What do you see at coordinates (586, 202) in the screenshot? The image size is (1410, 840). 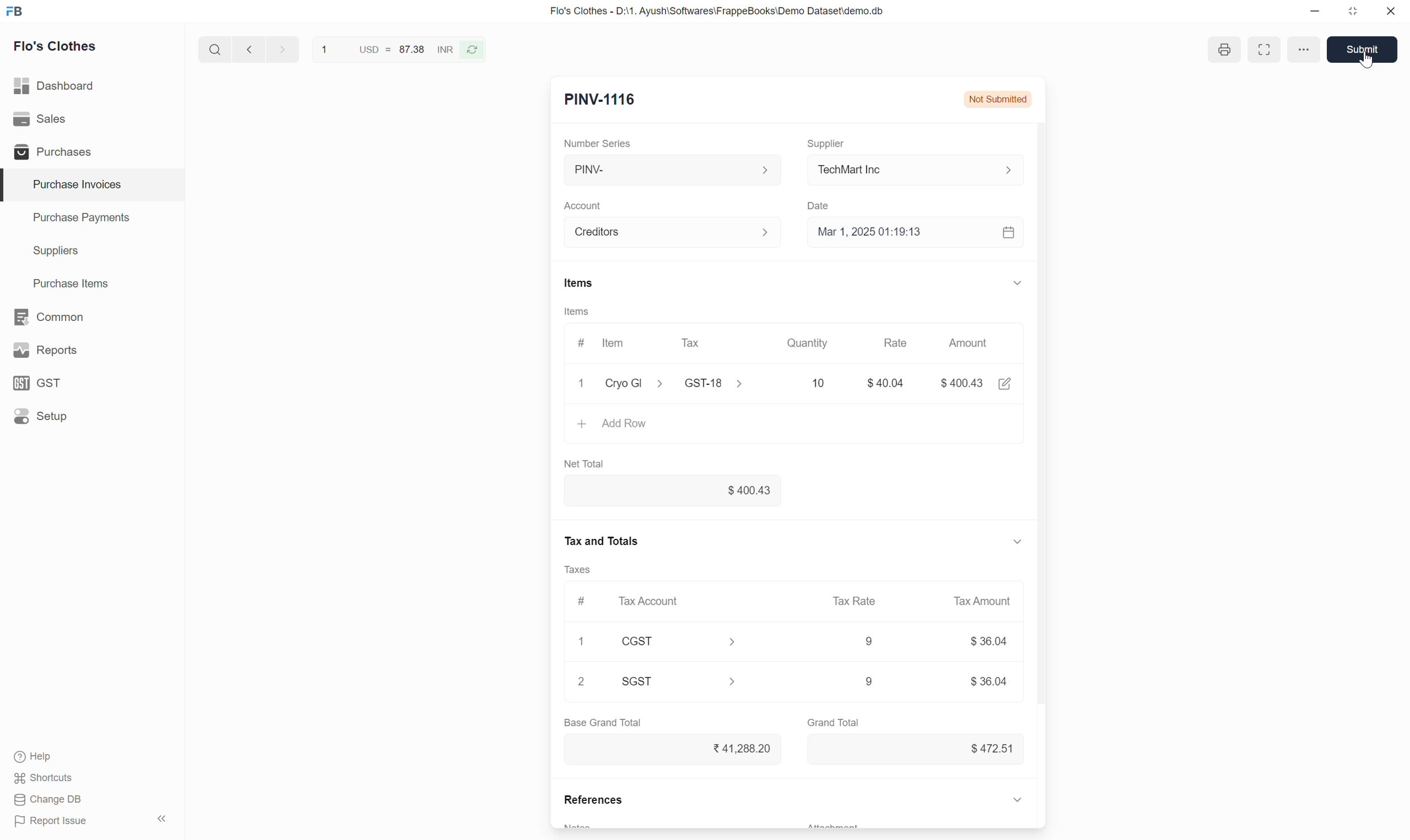 I see `Account` at bounding box center [586, 202].